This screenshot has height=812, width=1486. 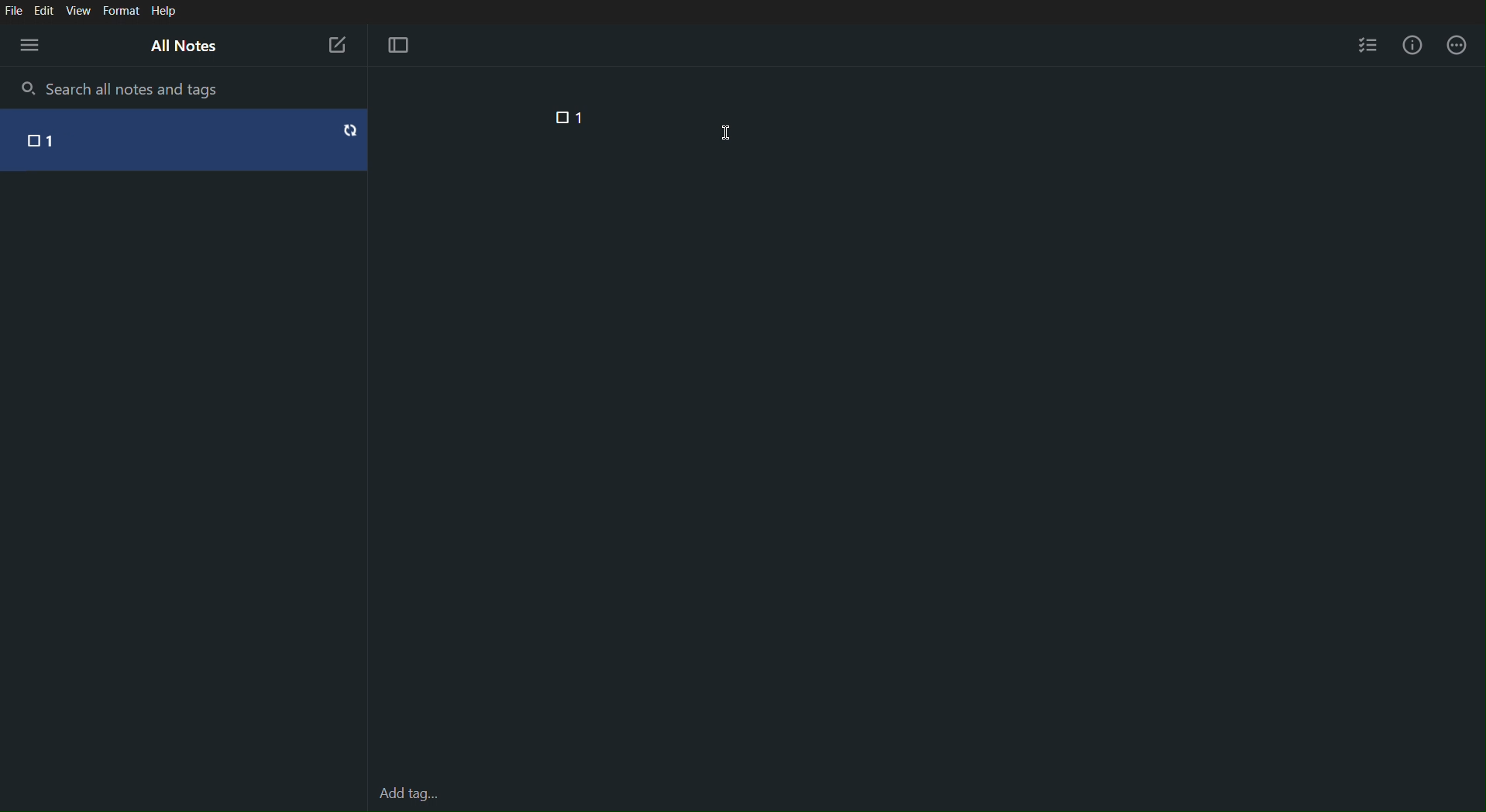 I want to click on Add tag, so click(x=407, y=793).